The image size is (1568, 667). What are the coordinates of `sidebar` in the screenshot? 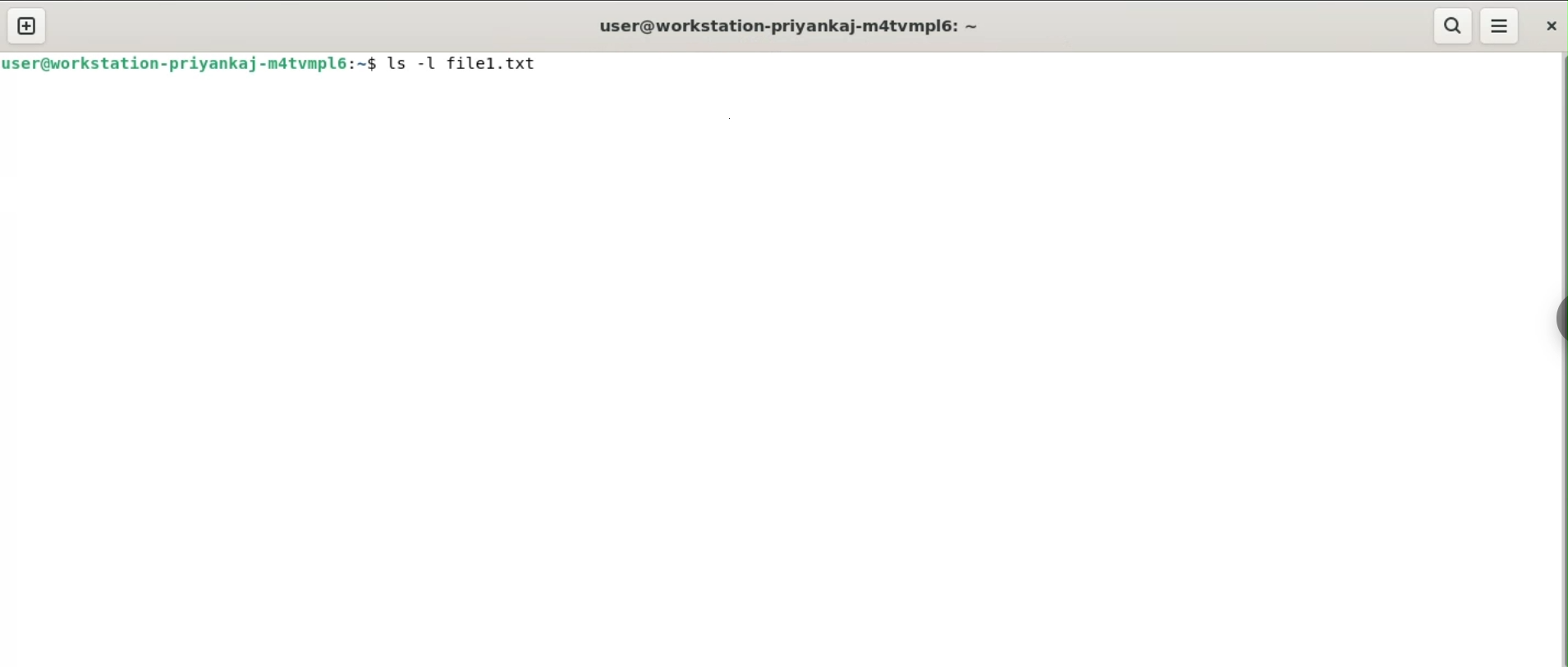 It's located at (1560, 320).